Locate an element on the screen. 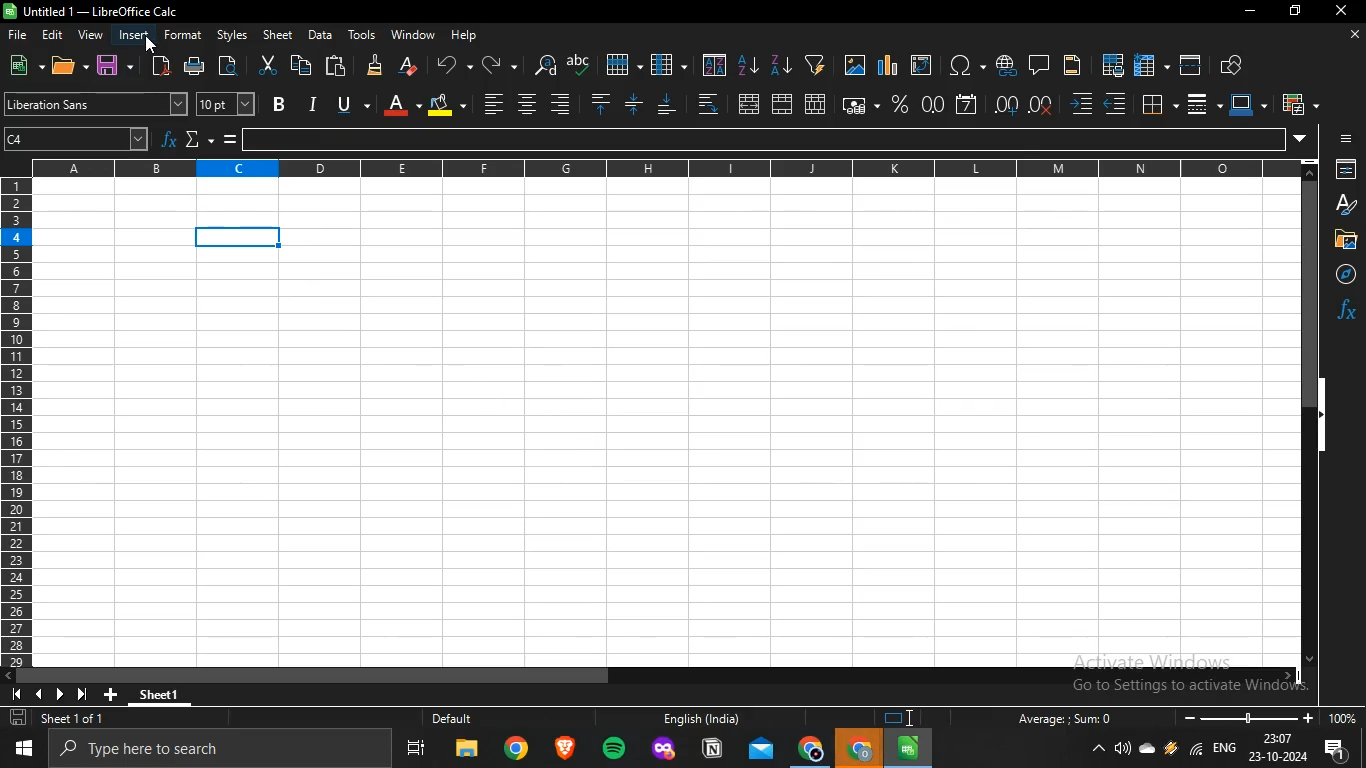  underline is located at coordinates (344, 102).